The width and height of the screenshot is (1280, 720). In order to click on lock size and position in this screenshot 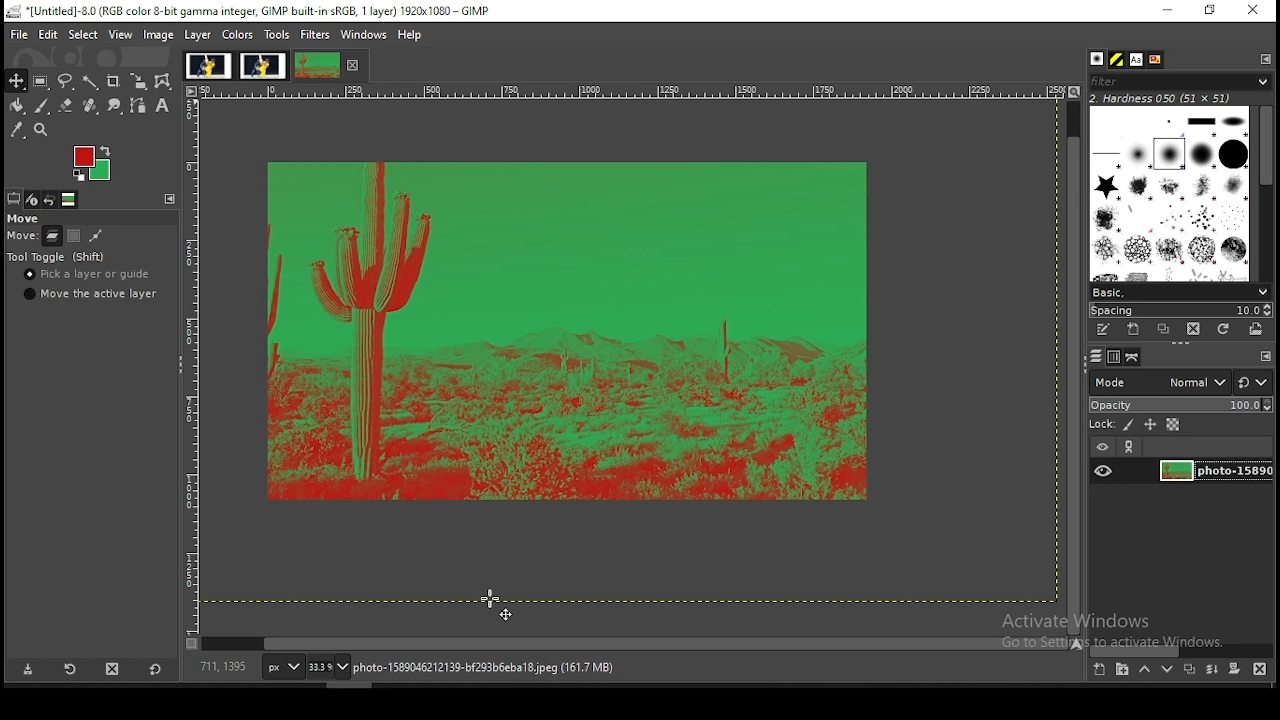, I will do `click(1150, 424)`.